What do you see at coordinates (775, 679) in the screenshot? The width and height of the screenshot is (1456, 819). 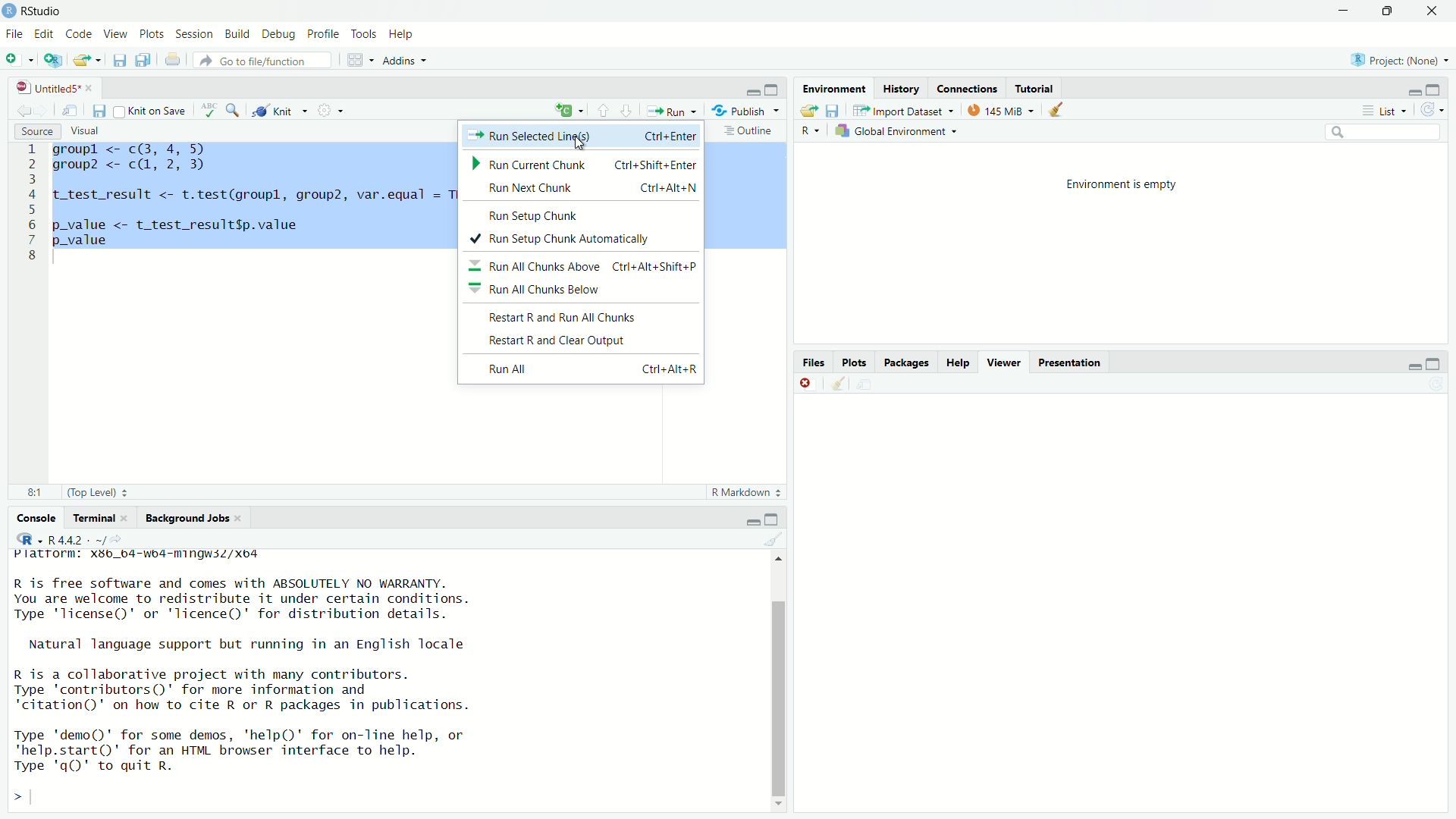 I see `scroll bar` at bounding box center [775, 679].